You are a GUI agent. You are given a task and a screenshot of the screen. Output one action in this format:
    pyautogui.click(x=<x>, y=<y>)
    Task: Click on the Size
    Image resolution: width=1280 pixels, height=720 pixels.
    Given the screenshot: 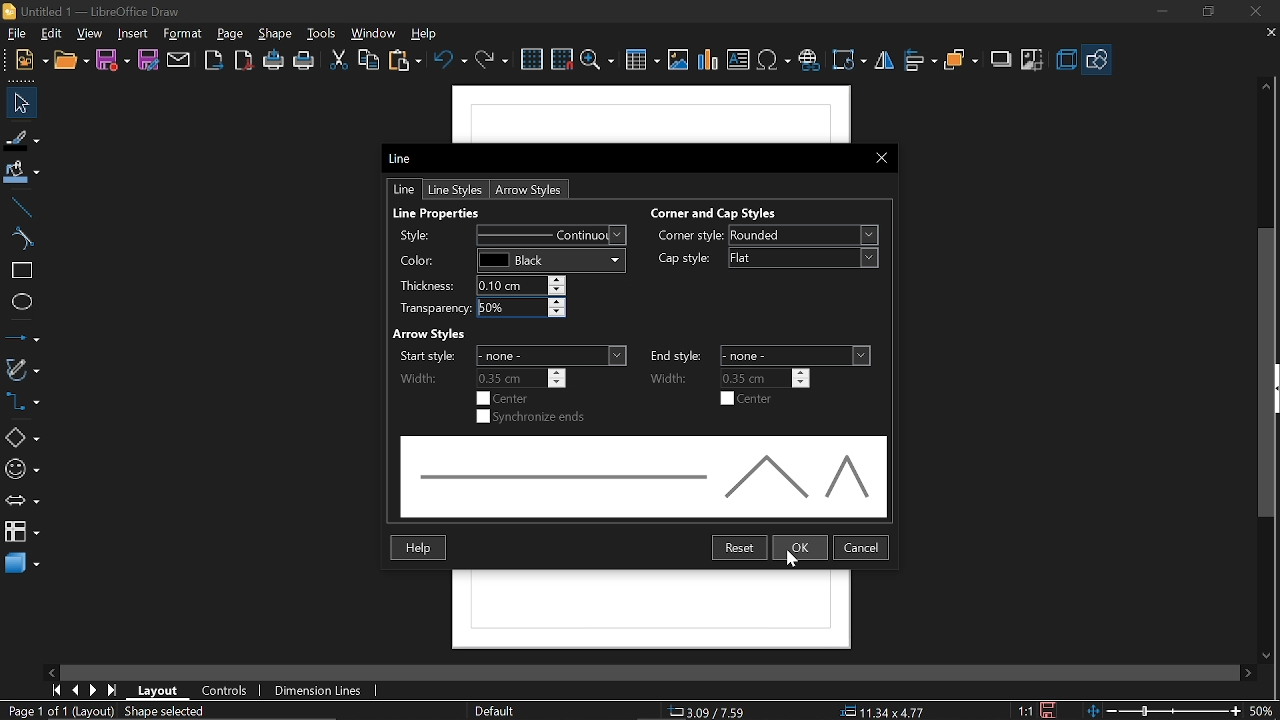 What is the action you would take?
    pyautogui.click(x=878, y=710)
    